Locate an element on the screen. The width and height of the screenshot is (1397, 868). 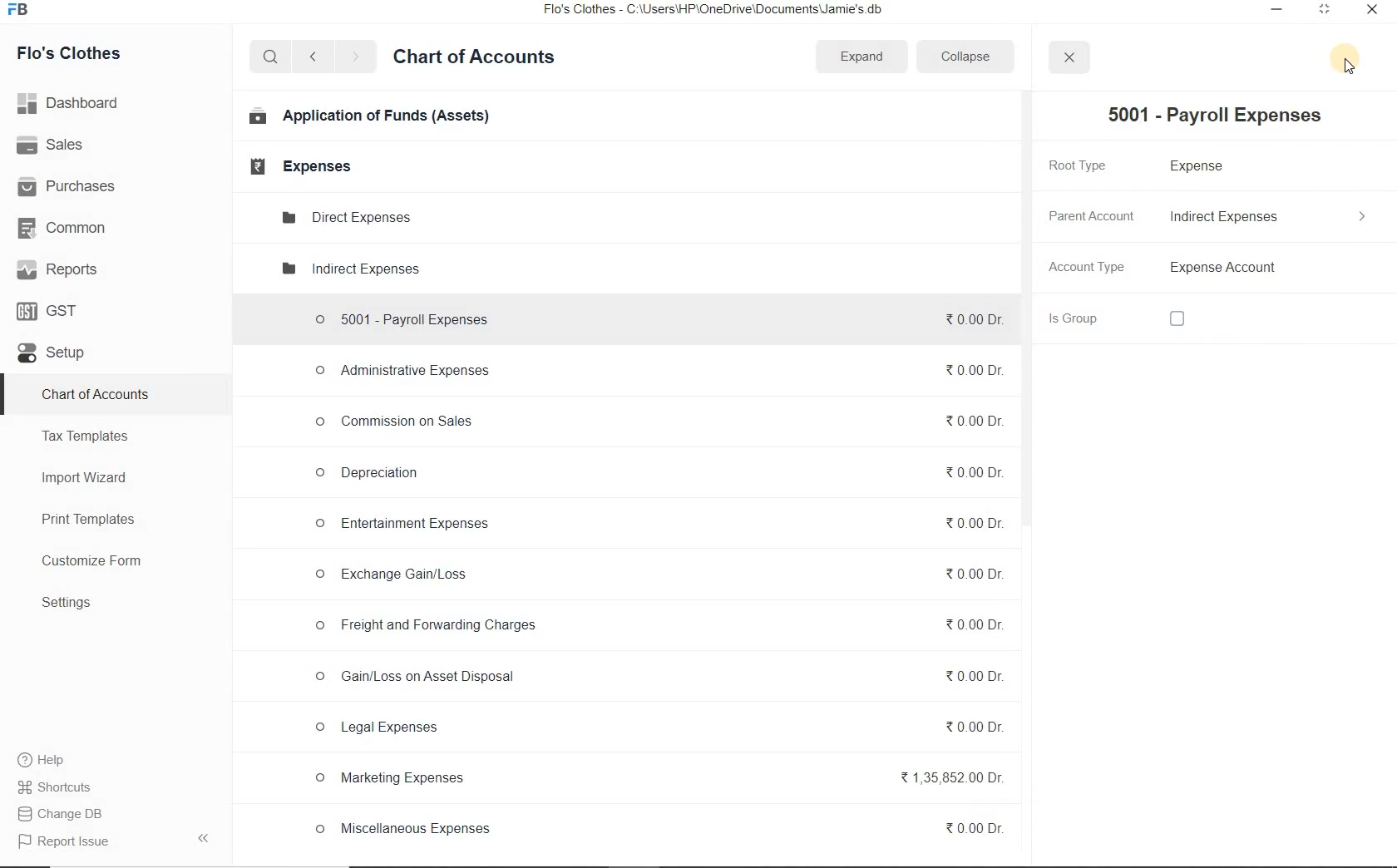
Chart of Accounts is located at coordinates (474, 59).